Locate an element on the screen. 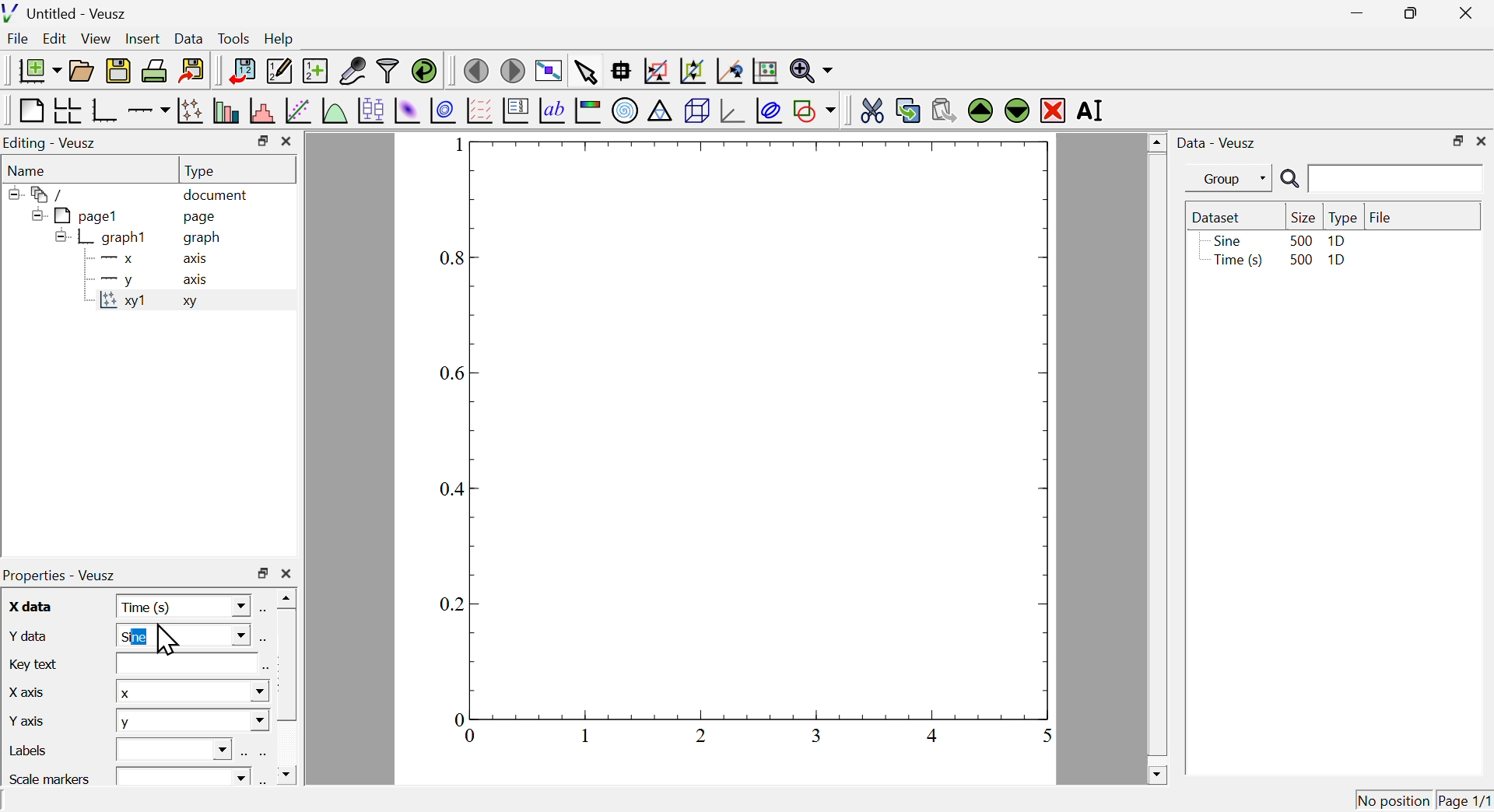  0 is located at coordinates (458, 718).